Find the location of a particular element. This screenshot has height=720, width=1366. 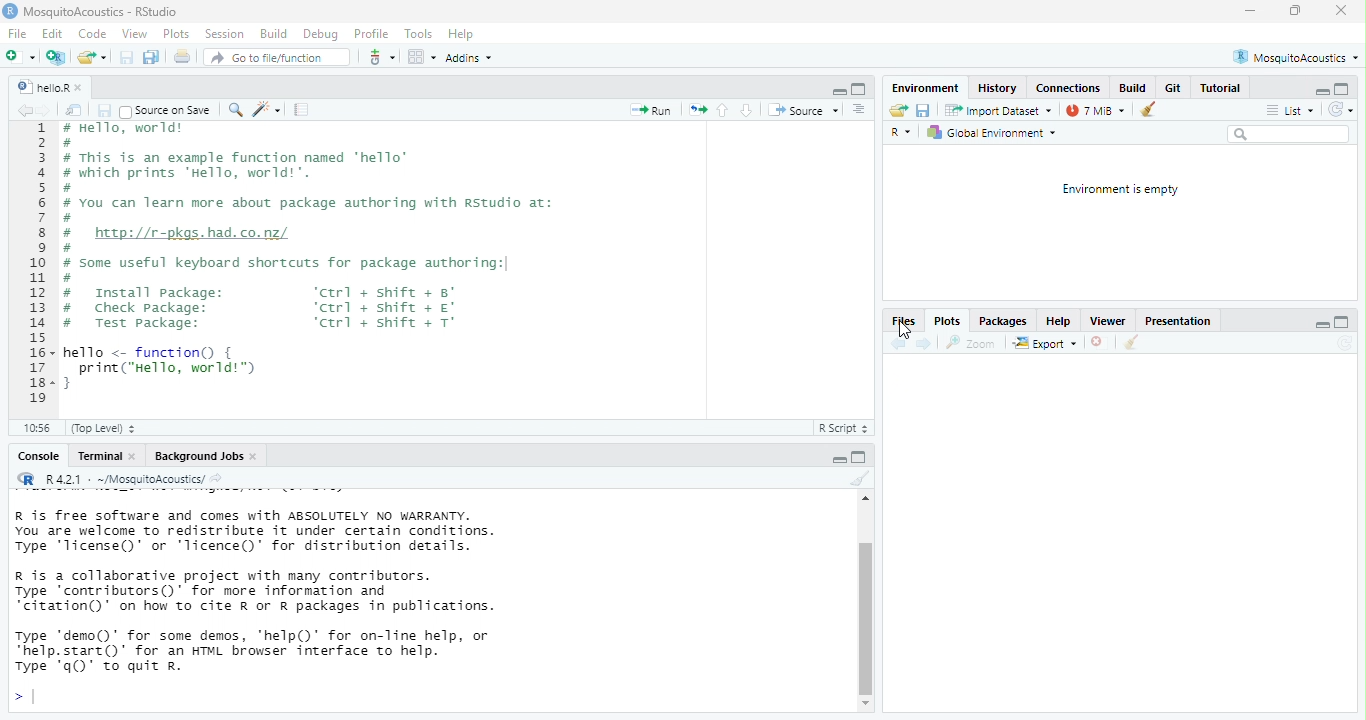

 Plots is located at coordinates (948, 321).